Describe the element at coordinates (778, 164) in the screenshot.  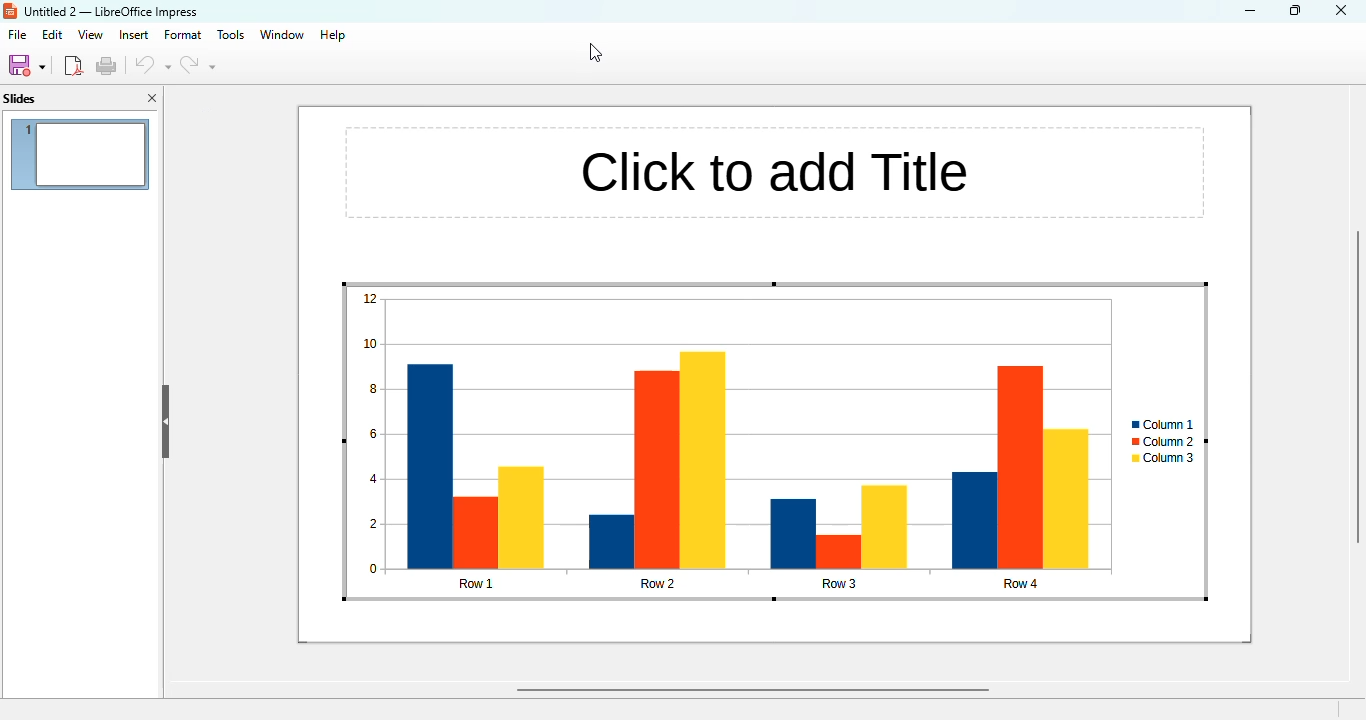
I see `title` at that location.